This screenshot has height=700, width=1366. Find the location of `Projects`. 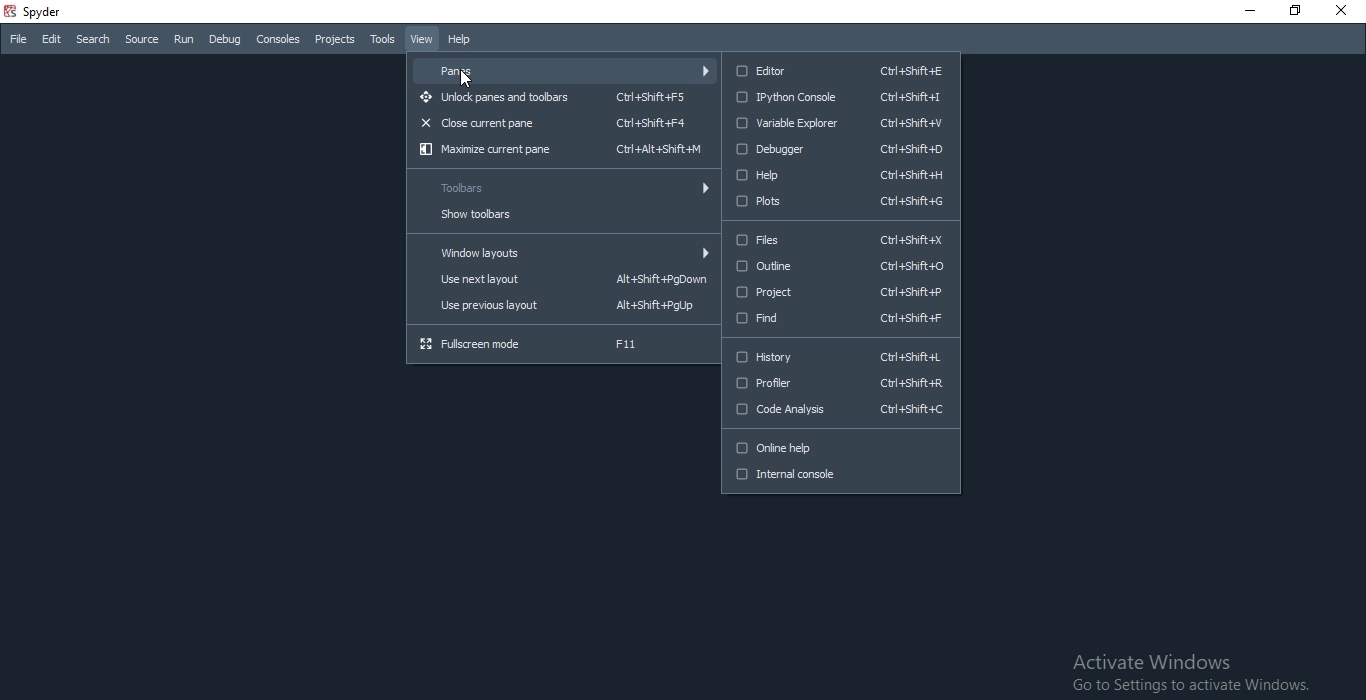

Projects is located at coordinates (335, 40).